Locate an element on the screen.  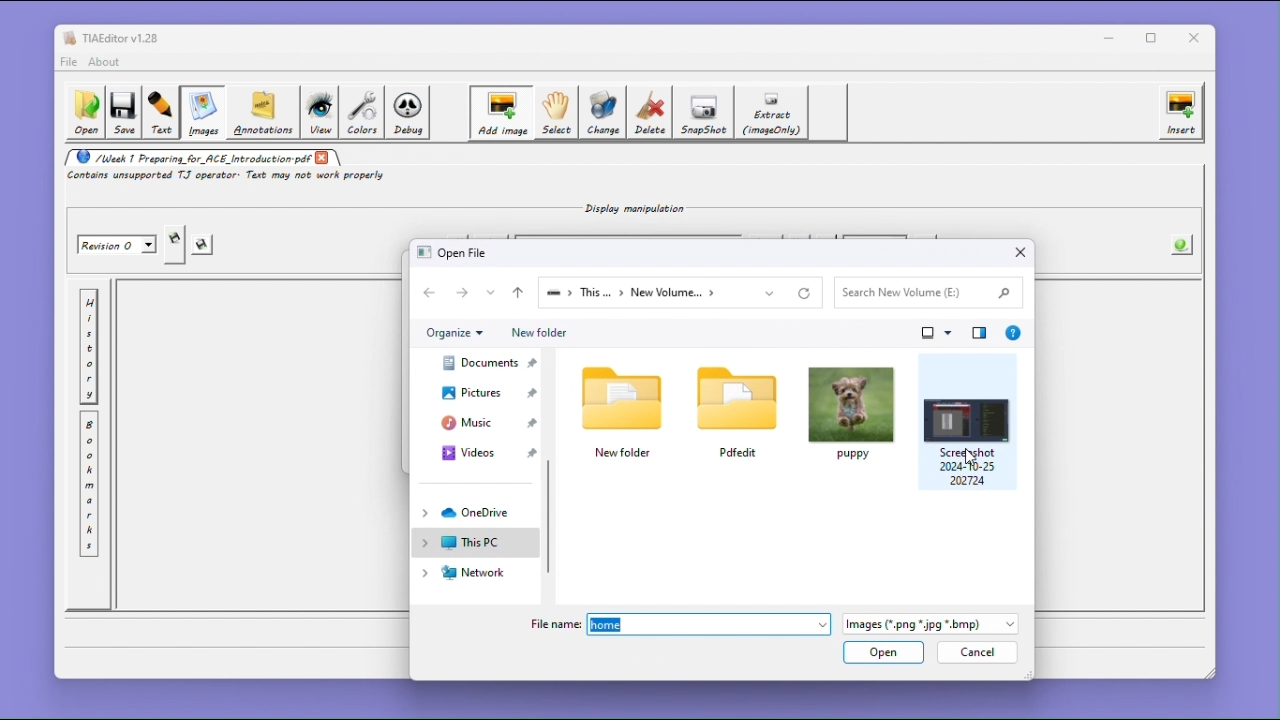
This PC is located at coordinates (474, 543).